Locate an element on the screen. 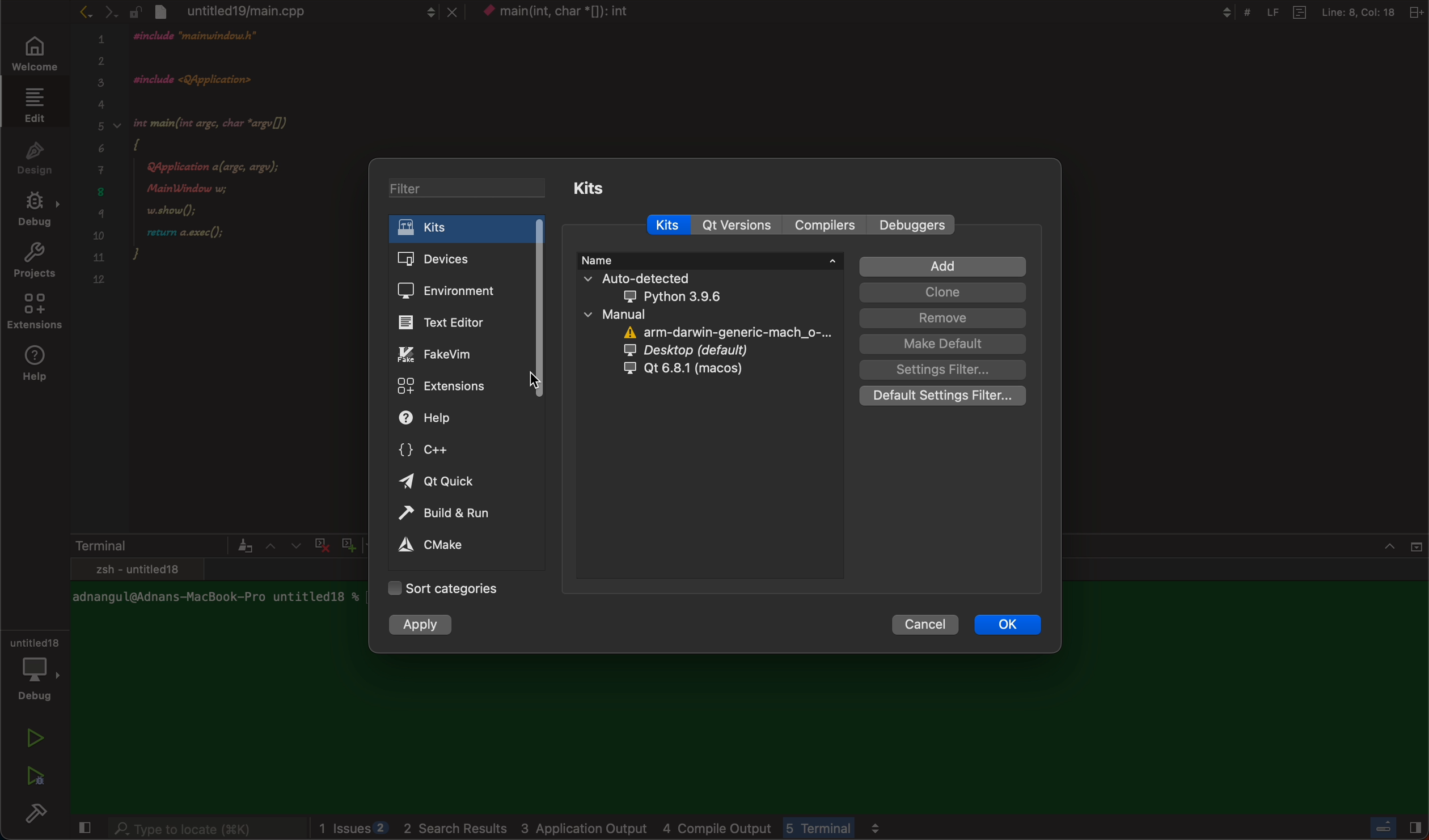  search is located at coordinates (206, 830).